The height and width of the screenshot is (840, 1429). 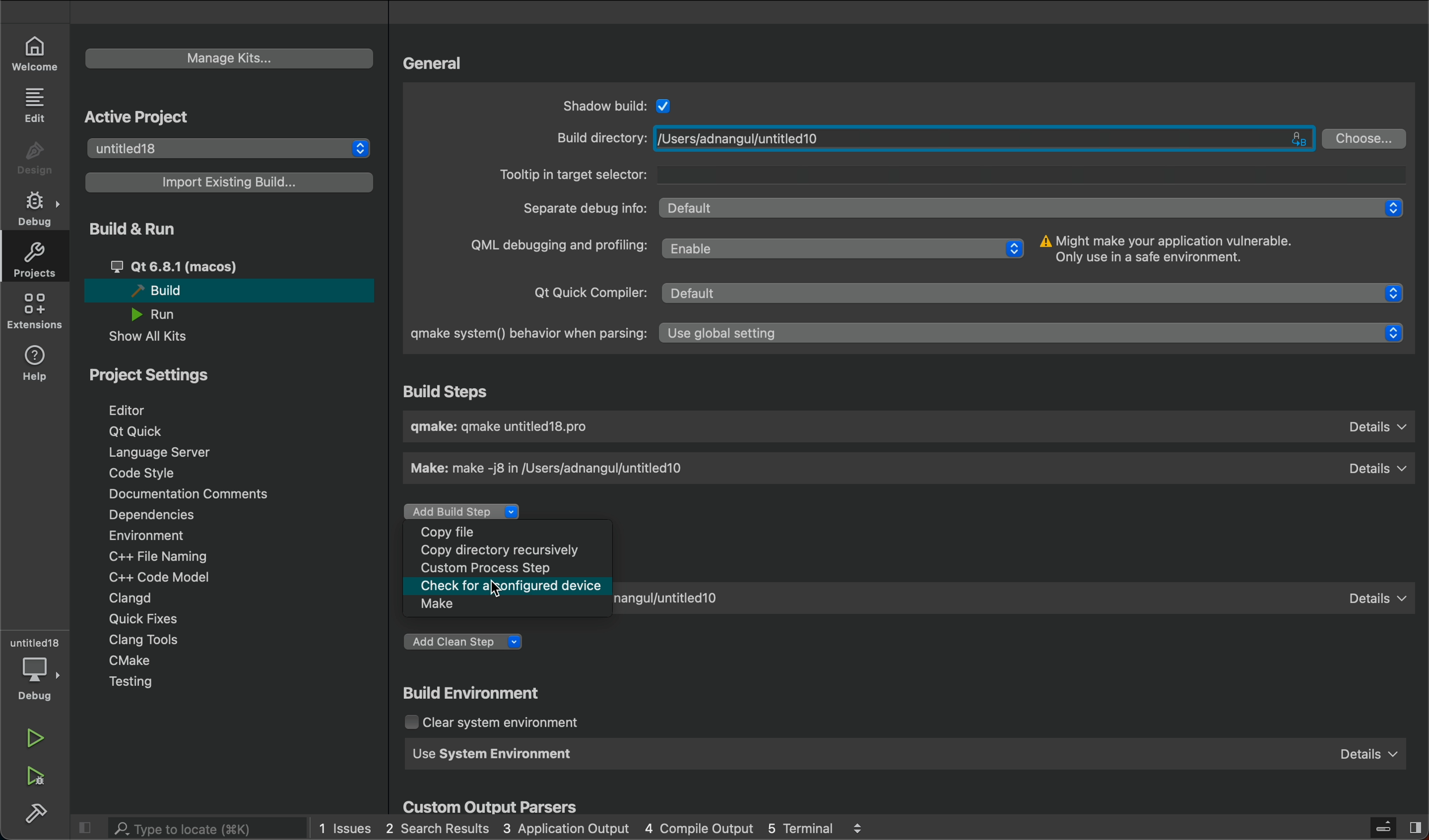 What do you see at coordinates (566, 828) in the screenshot?
I see `3 Application Output` at bounding box center [566, 828].